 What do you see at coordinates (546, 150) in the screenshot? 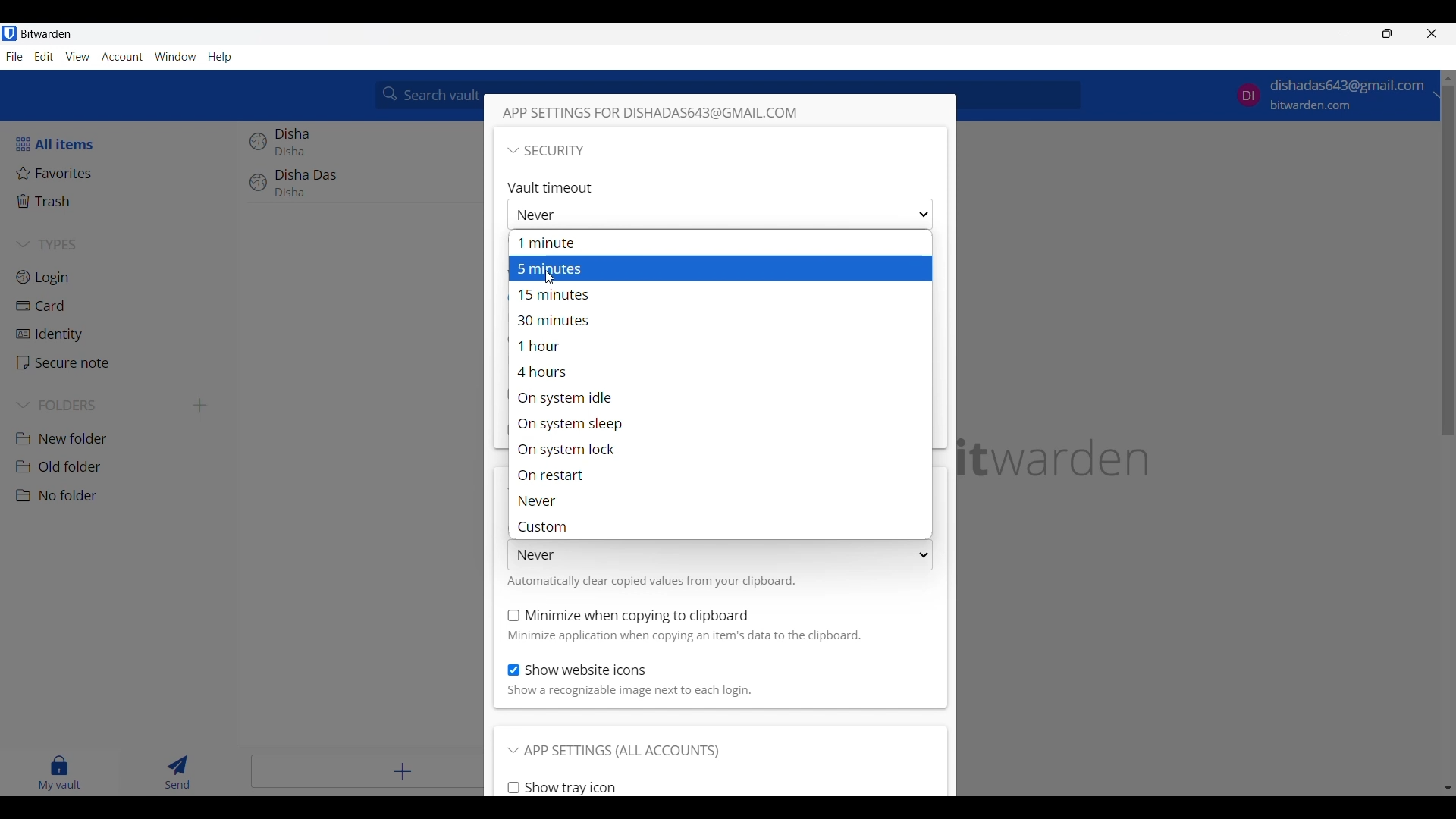
I see `Collapse section` at bounding box center [546, 150].